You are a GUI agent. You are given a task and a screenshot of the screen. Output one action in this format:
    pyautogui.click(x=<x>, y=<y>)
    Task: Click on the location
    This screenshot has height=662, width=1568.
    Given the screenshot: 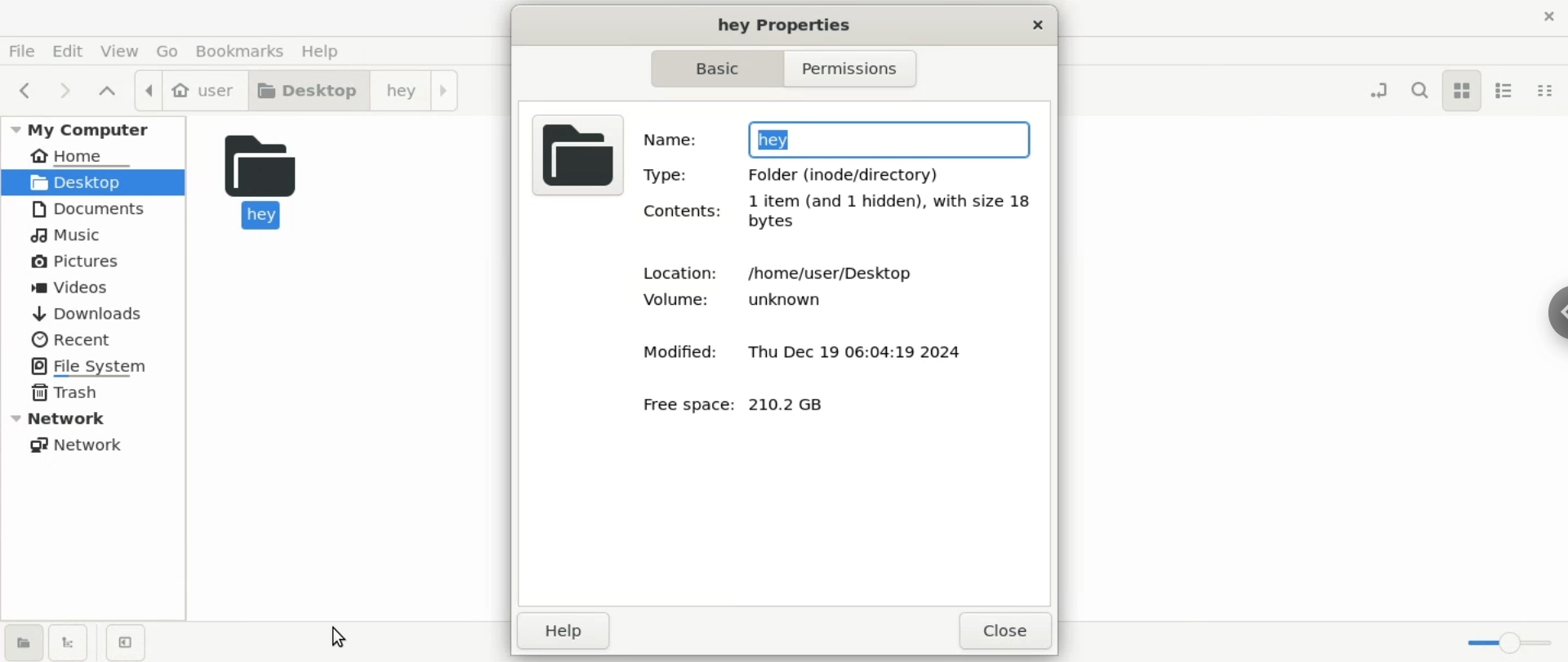 What is the action you would take?
    pyautogui.click(x=674, y=270)
    